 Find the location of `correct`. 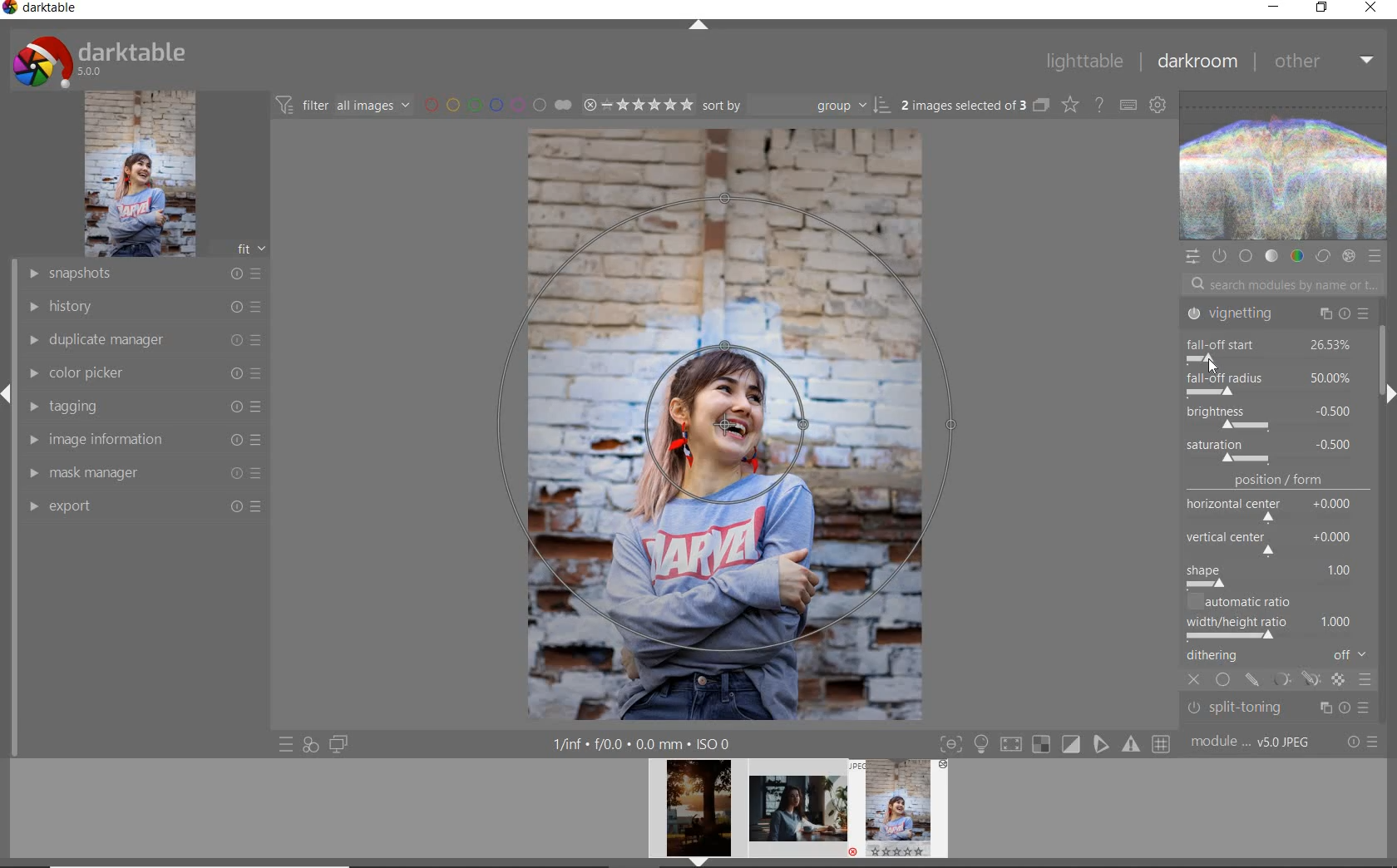

correct is located at coordinates (1323, 257).